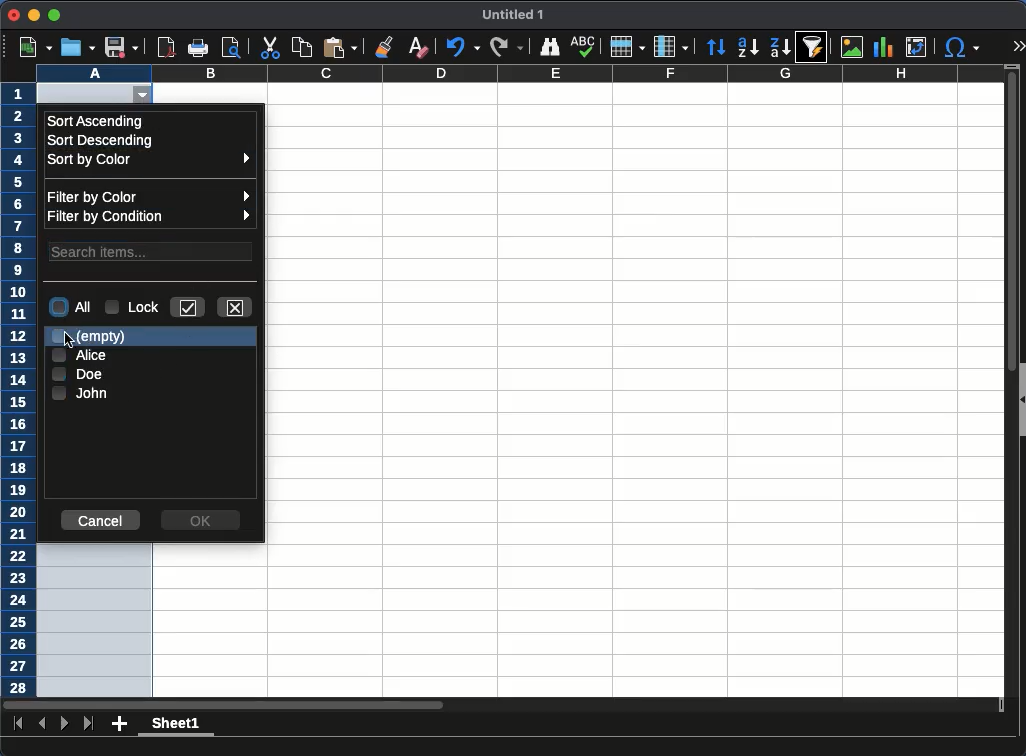 The width and height of the screenshot is (1026, 756). I want to click on minimize, so click(33, 15).